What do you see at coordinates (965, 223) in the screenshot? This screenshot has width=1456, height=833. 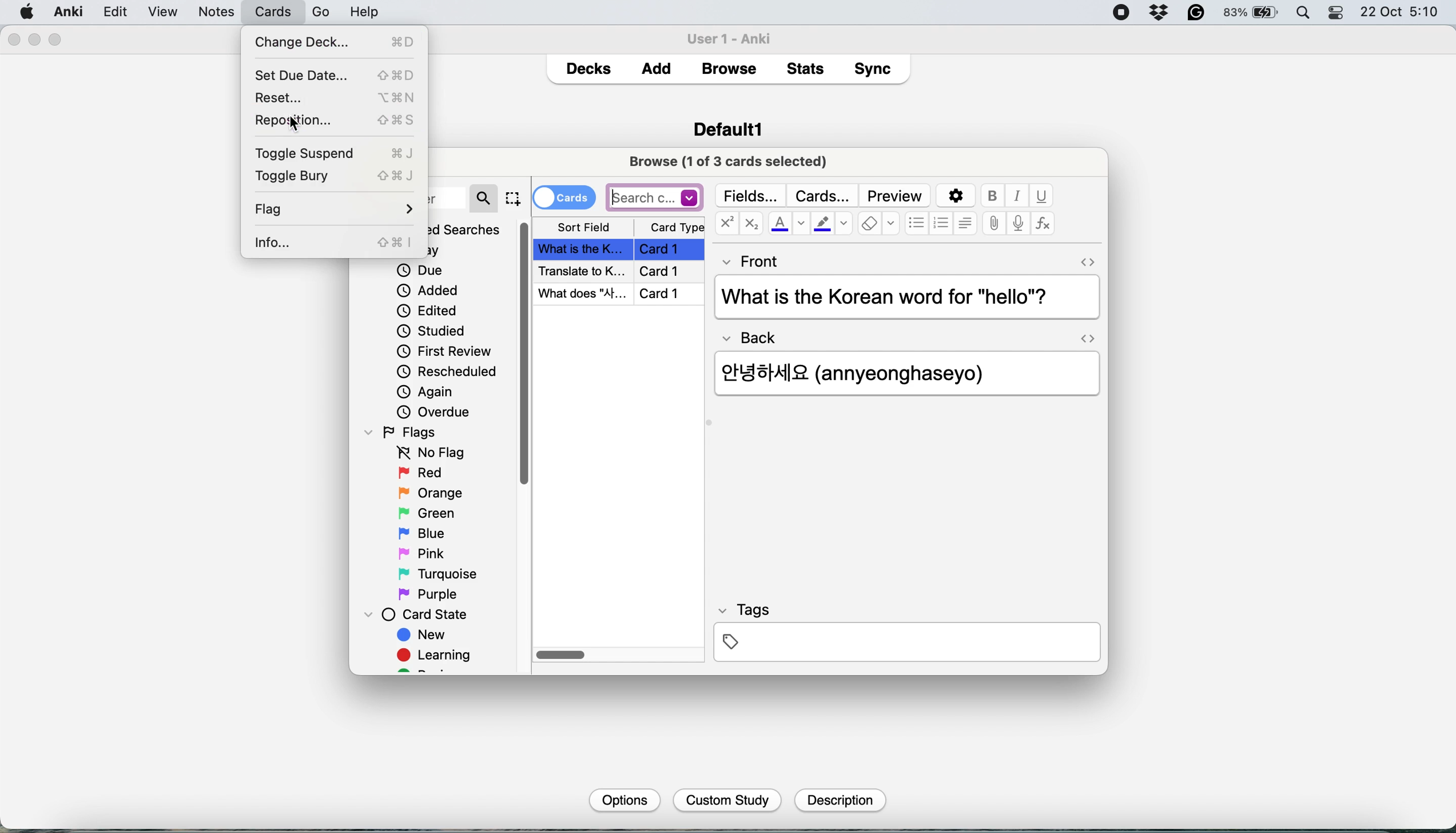 I see `justify` at bounding box center [965, 223].